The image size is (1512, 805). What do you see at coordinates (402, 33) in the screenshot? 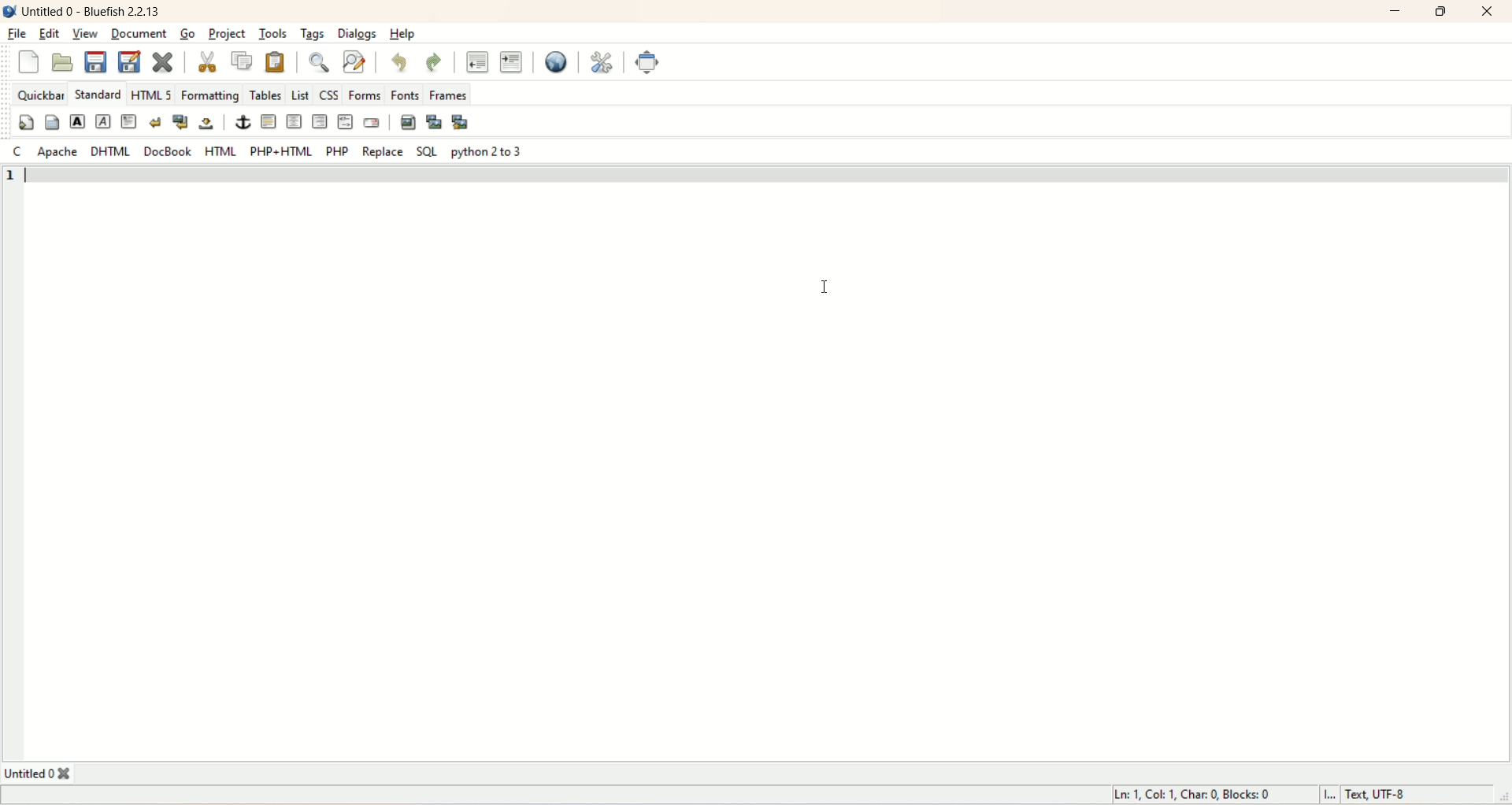
I see `help` at bounding box center [402, 33].